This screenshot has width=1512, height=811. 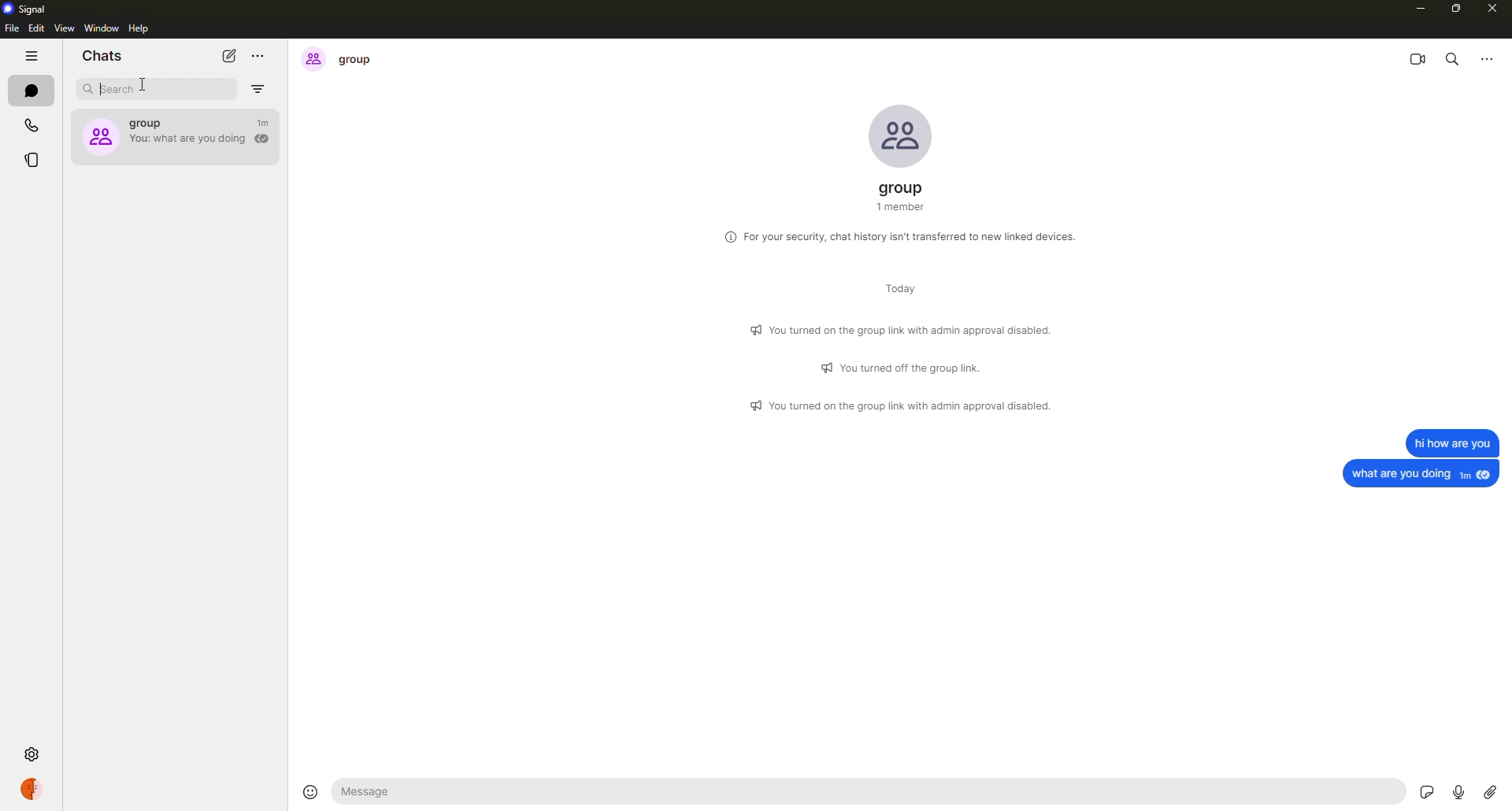 What do you see at coordinates (139, 28) in the screenshot?
I see `help` at bounding box center [139, 28].